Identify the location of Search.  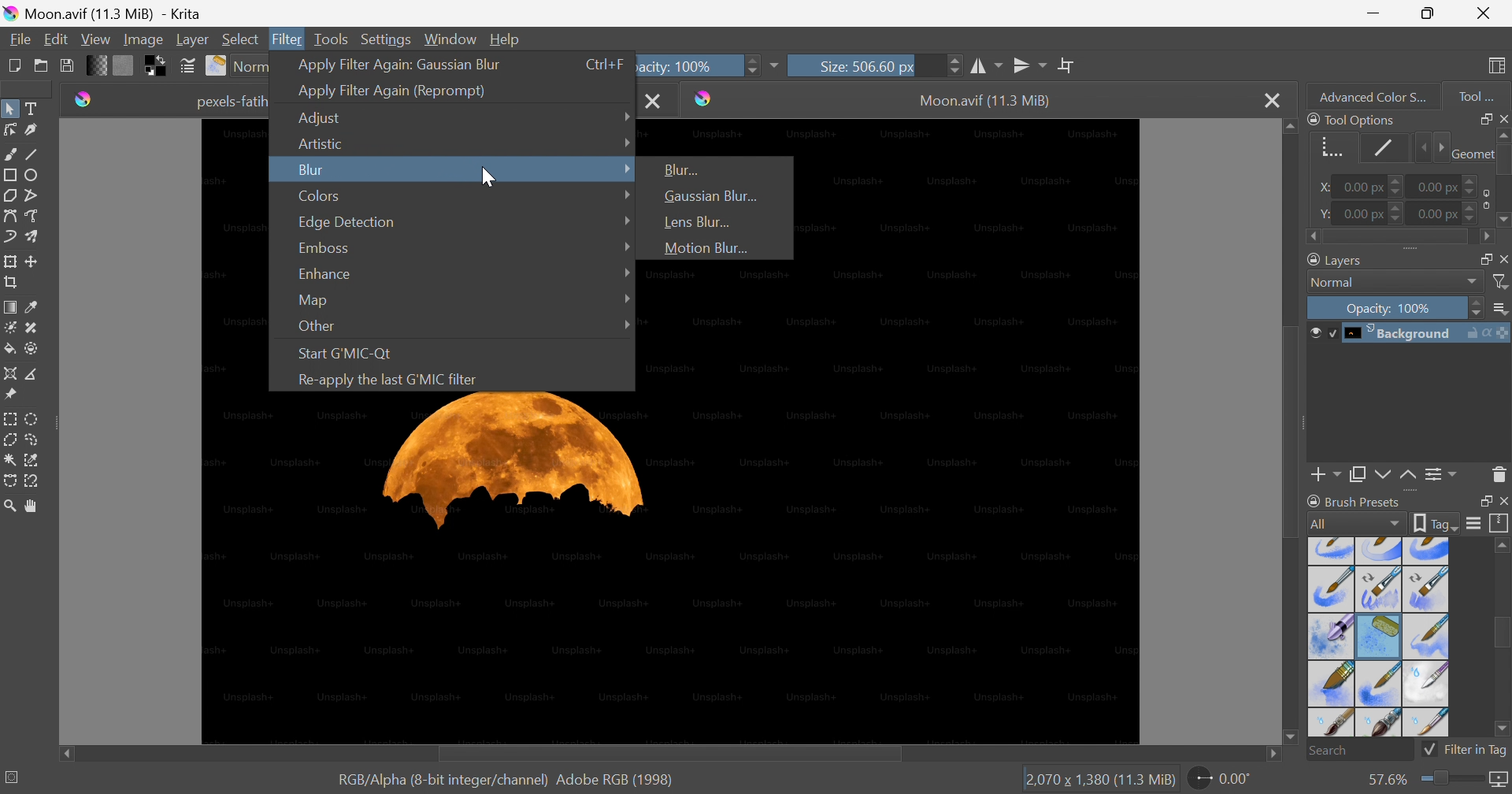
(1359, 751).